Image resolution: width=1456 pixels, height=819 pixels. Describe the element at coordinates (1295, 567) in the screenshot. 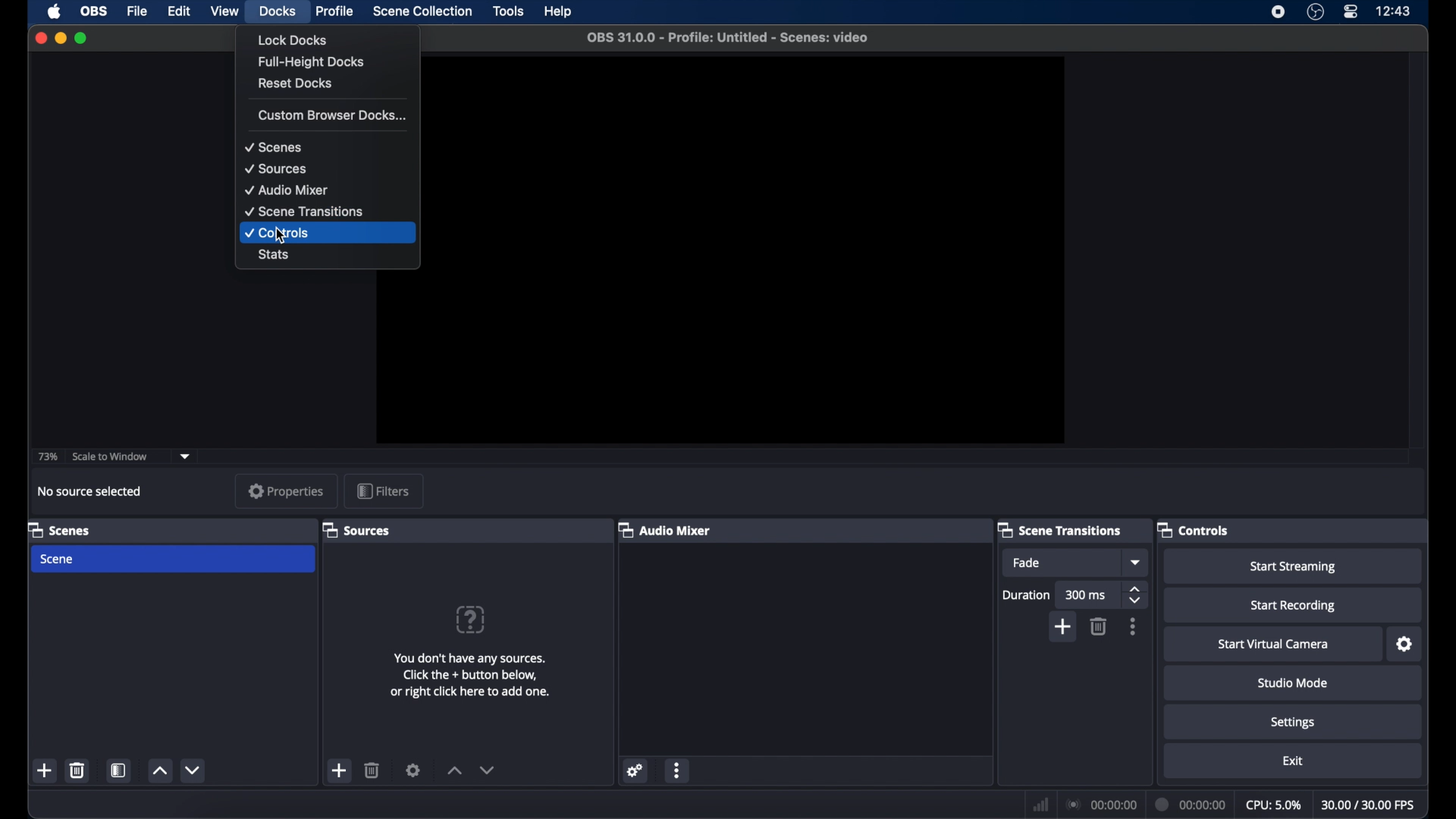

I see `start streaming` at that location.